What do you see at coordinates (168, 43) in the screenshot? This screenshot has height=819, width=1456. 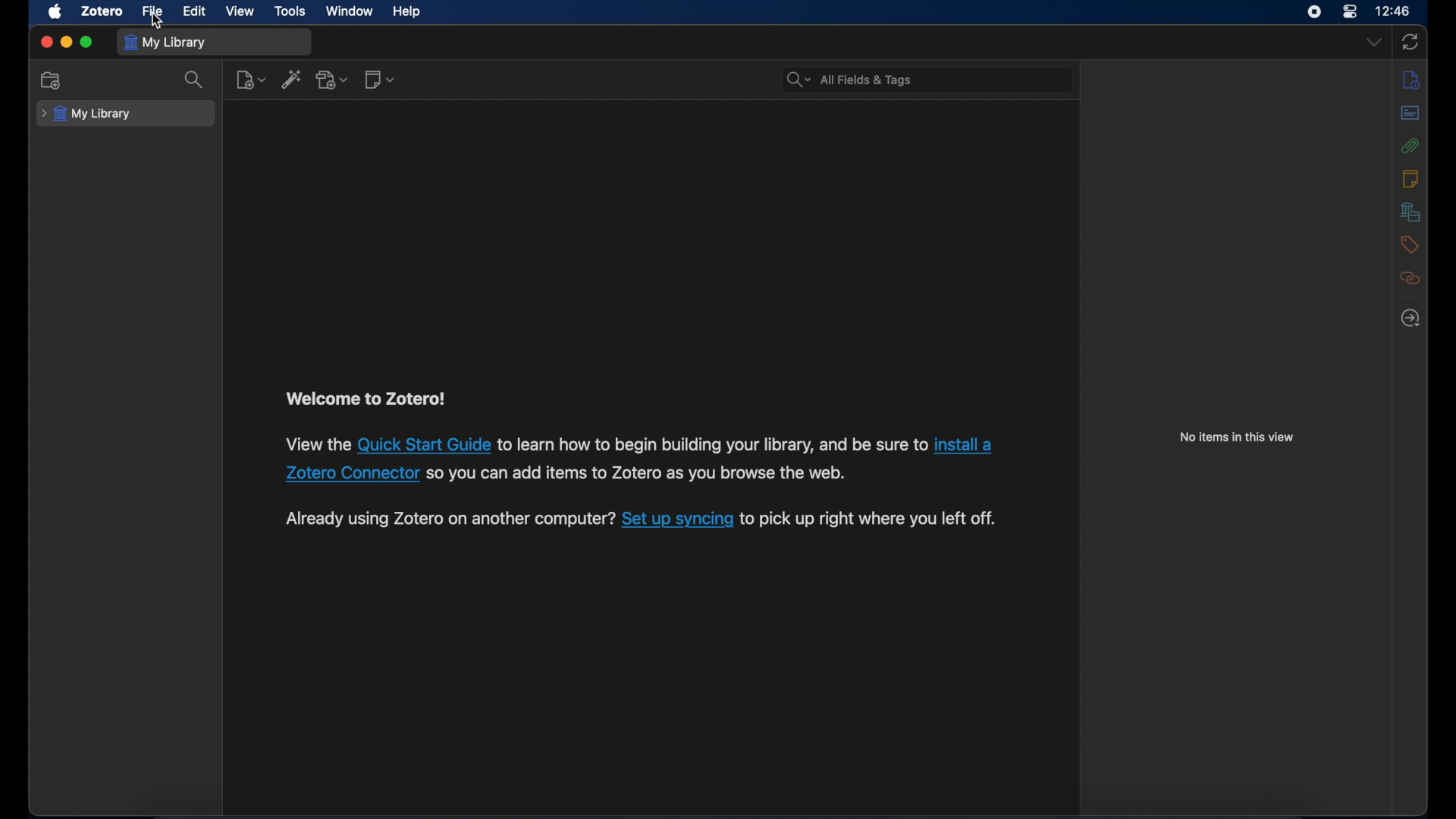 I see `my library` at bounding box center [168, 43].